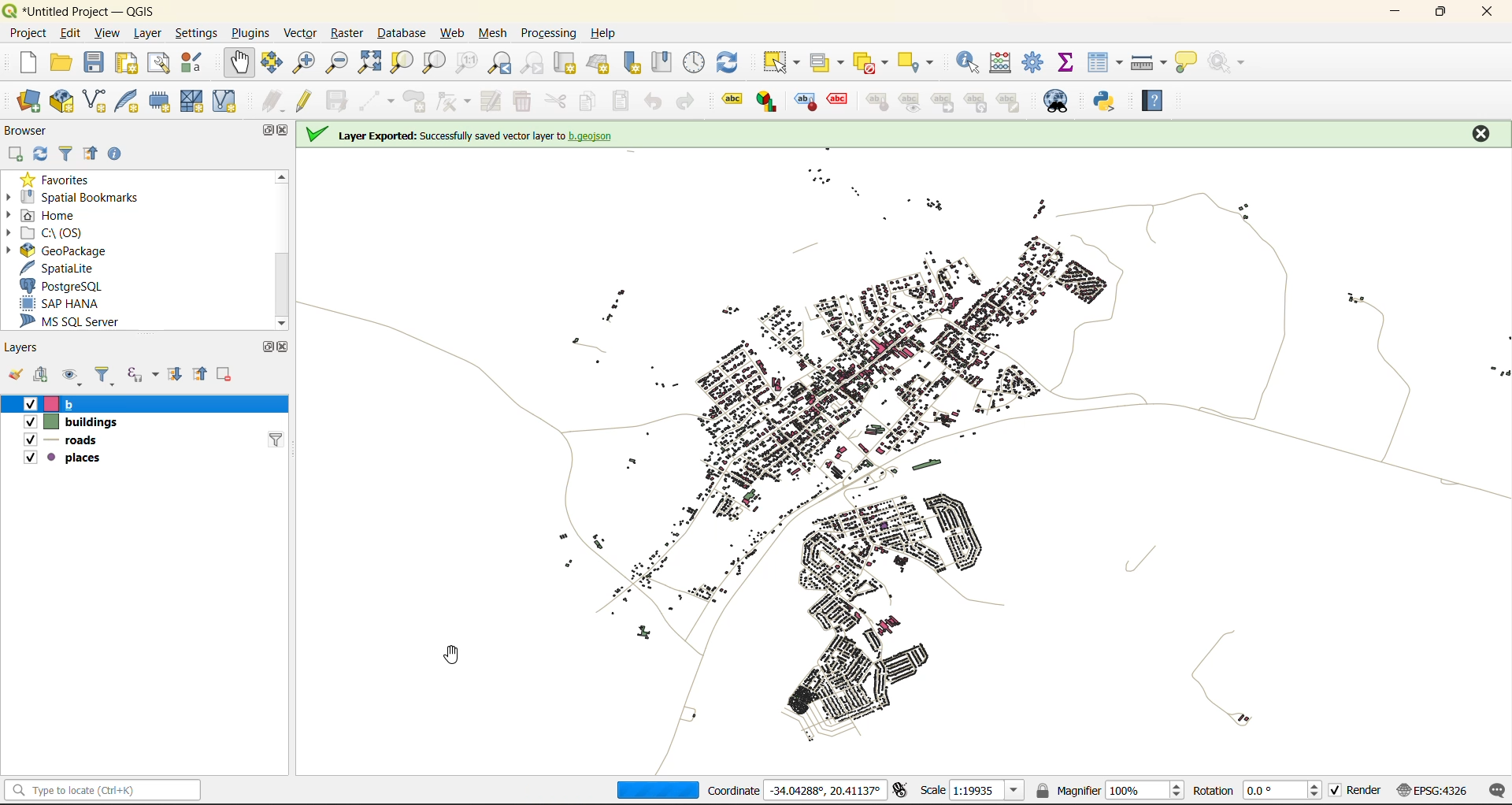  Describe the element at coordinates (907, 462) in the screenshot. I see `map` at that location.